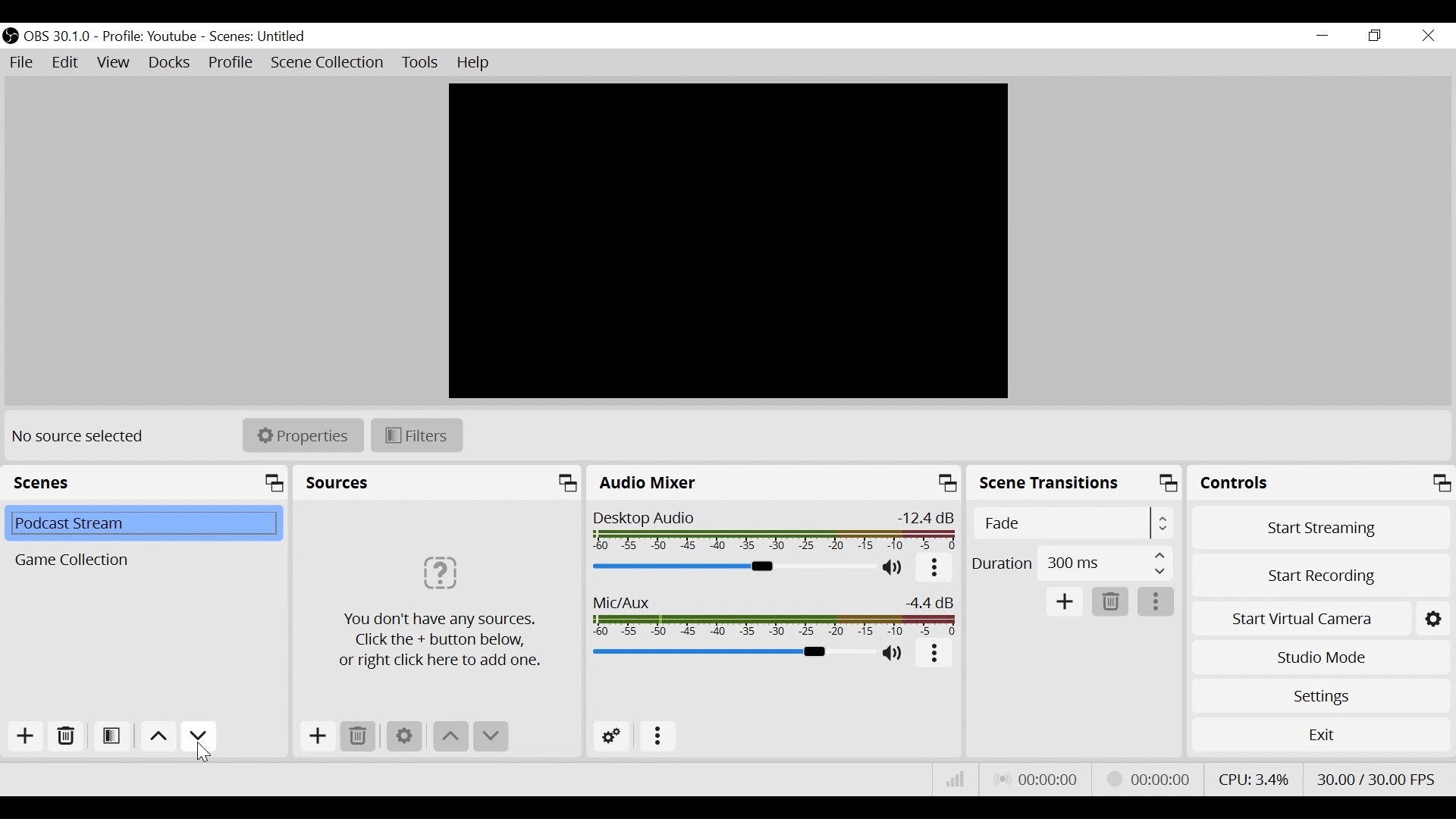  Describe the element at coordinates (730, 241) in the screenshot. I see `Preview` at that location.